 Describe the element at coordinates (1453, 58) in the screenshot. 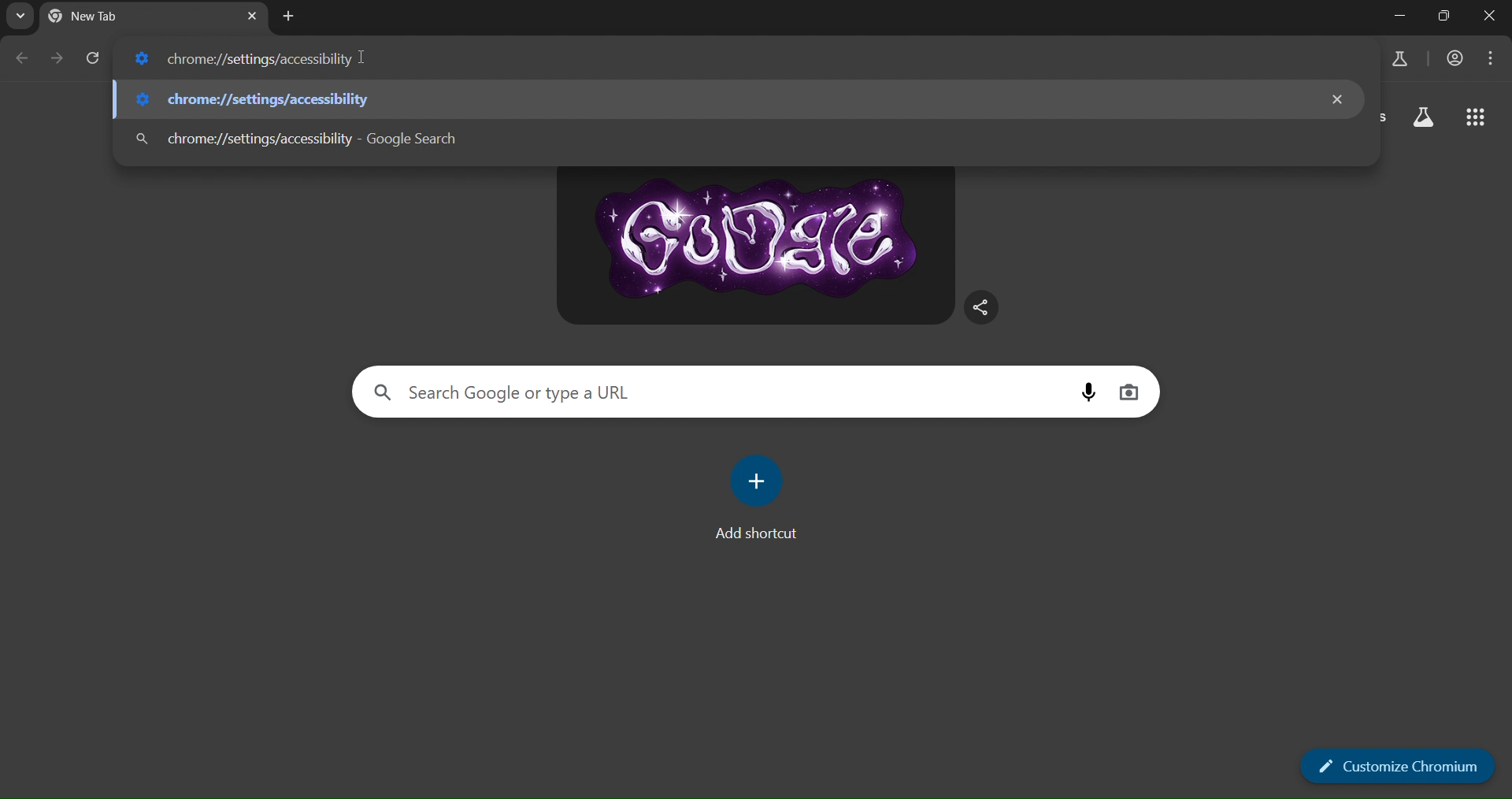

I see `account` at that location.